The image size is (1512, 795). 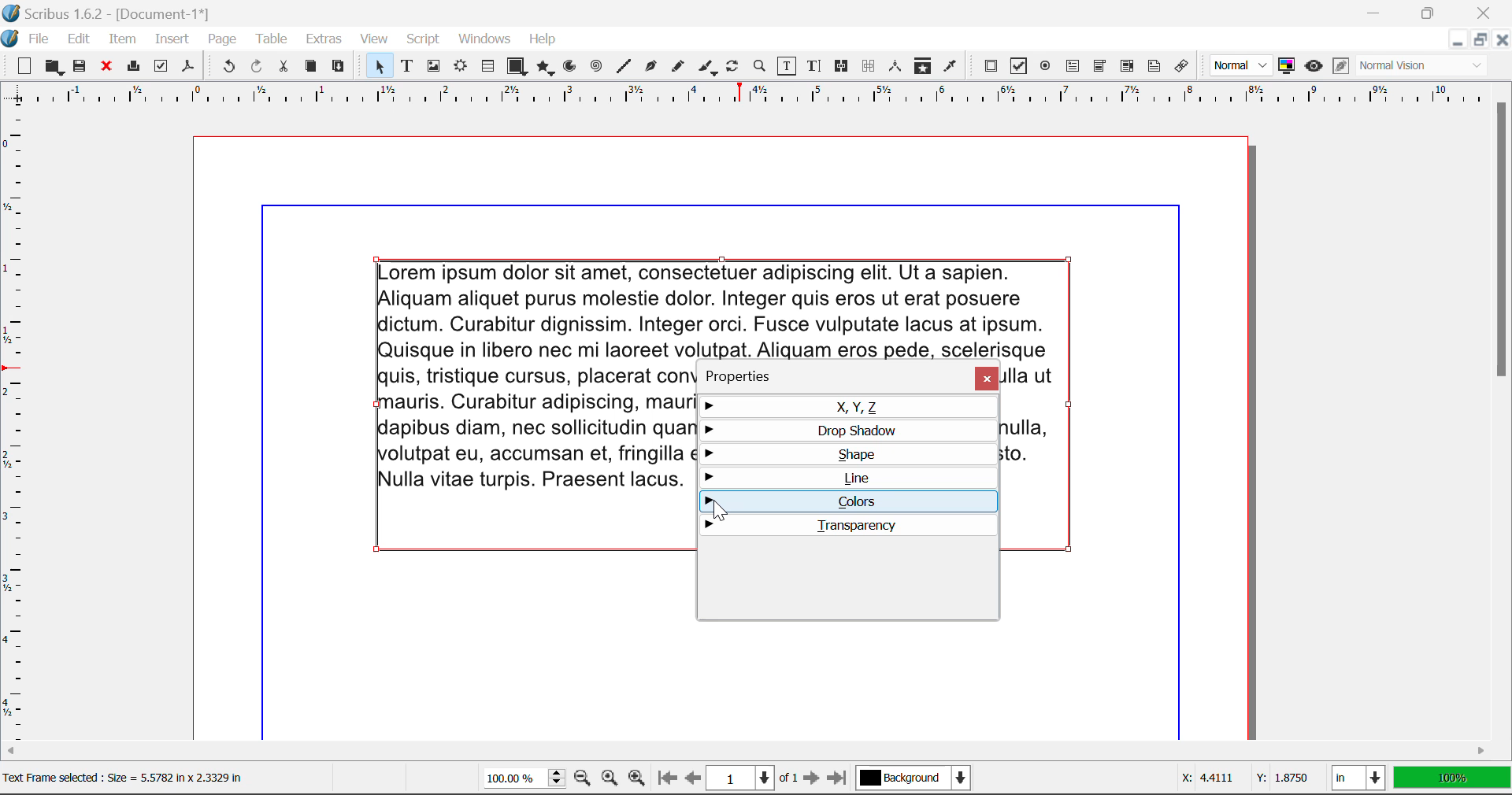 What do you see at coordinates (339, 67) in the screenshot?
I see `Paste` at bounding box center [339, 67].